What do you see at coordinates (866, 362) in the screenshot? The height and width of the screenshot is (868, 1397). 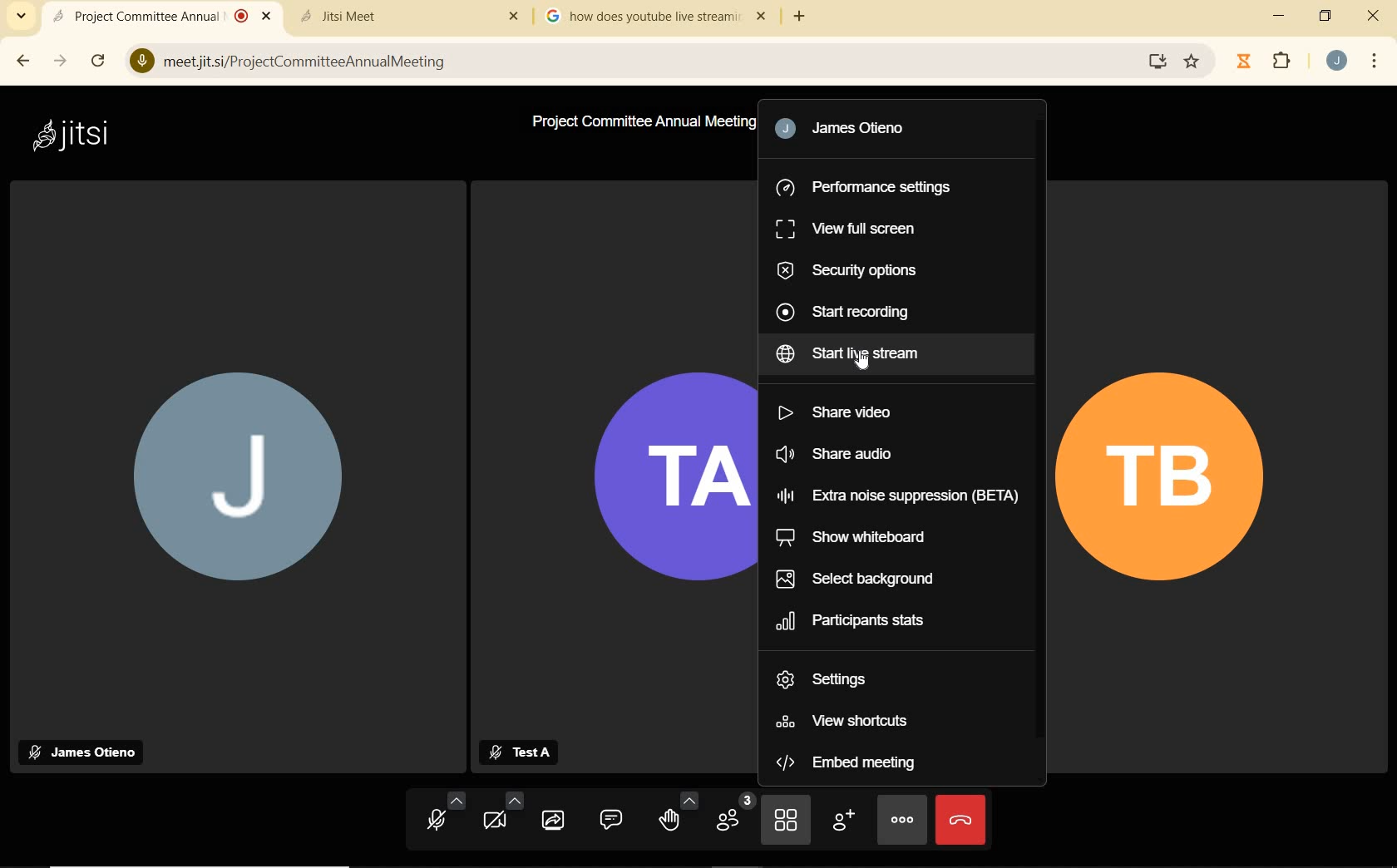 I see `Crusor` at bounding box center [866, 362].